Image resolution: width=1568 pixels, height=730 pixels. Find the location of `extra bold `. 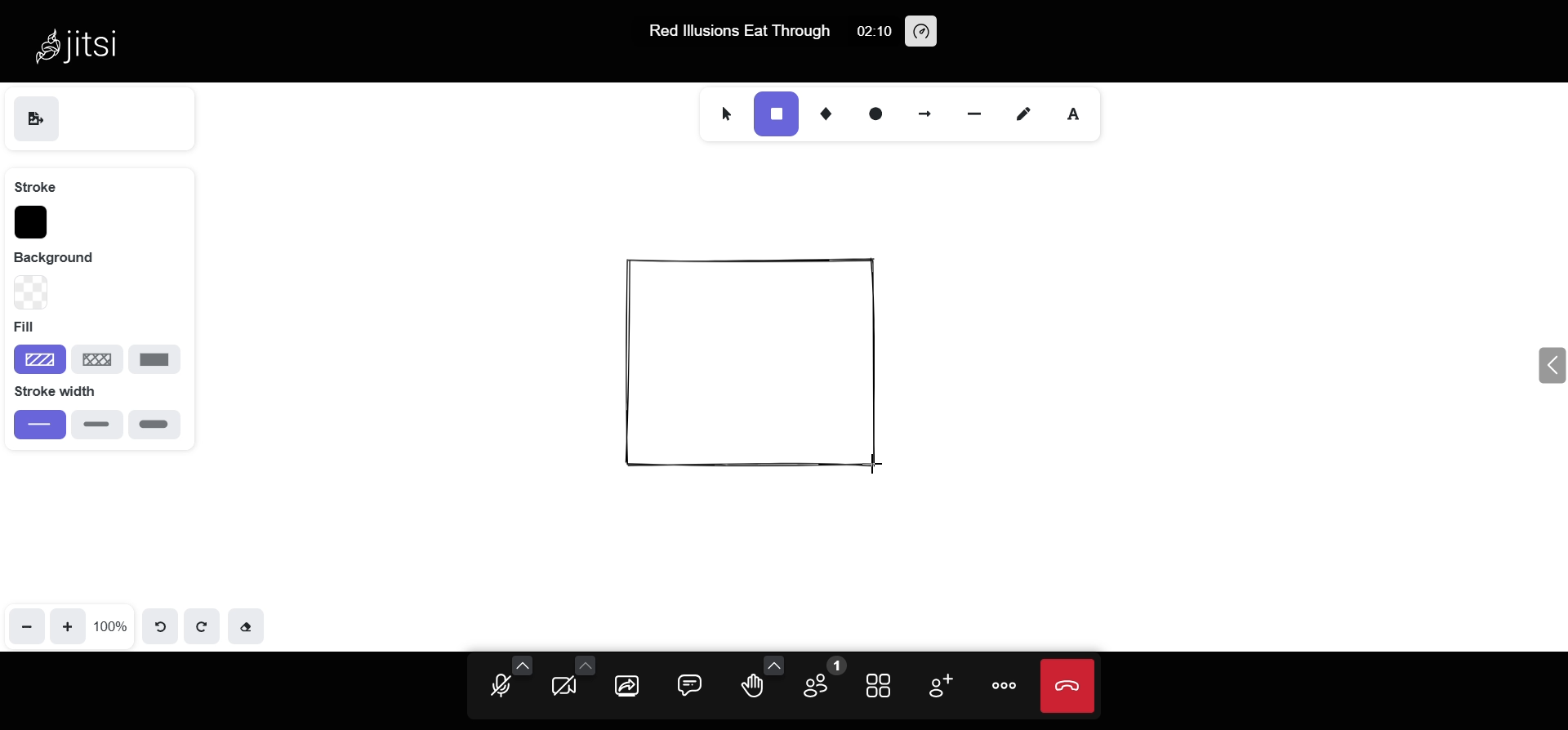

extra bold  is located at coordinates (154, 425).